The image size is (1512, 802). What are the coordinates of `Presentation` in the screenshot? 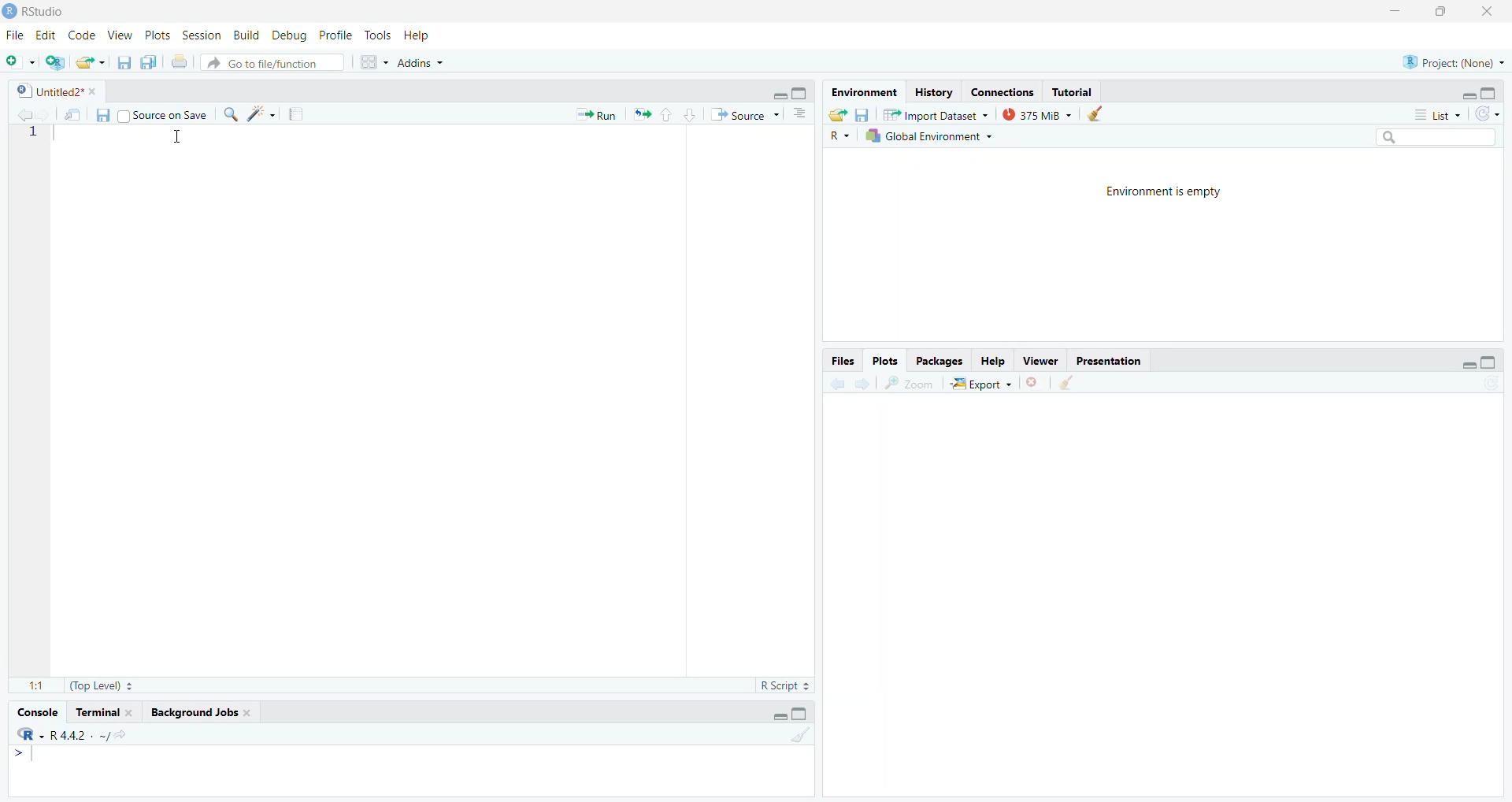 It's located at (1114, 362).